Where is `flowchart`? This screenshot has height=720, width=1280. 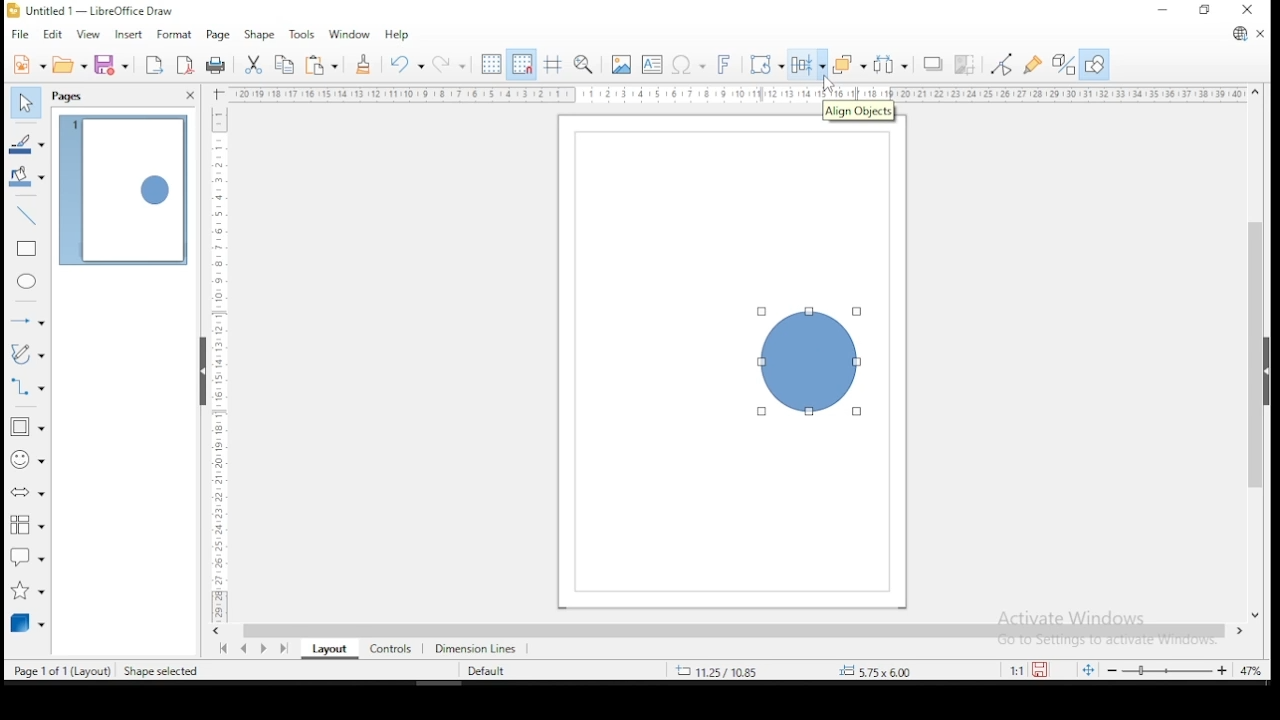 flowchart is located at coordinates (24, 525).